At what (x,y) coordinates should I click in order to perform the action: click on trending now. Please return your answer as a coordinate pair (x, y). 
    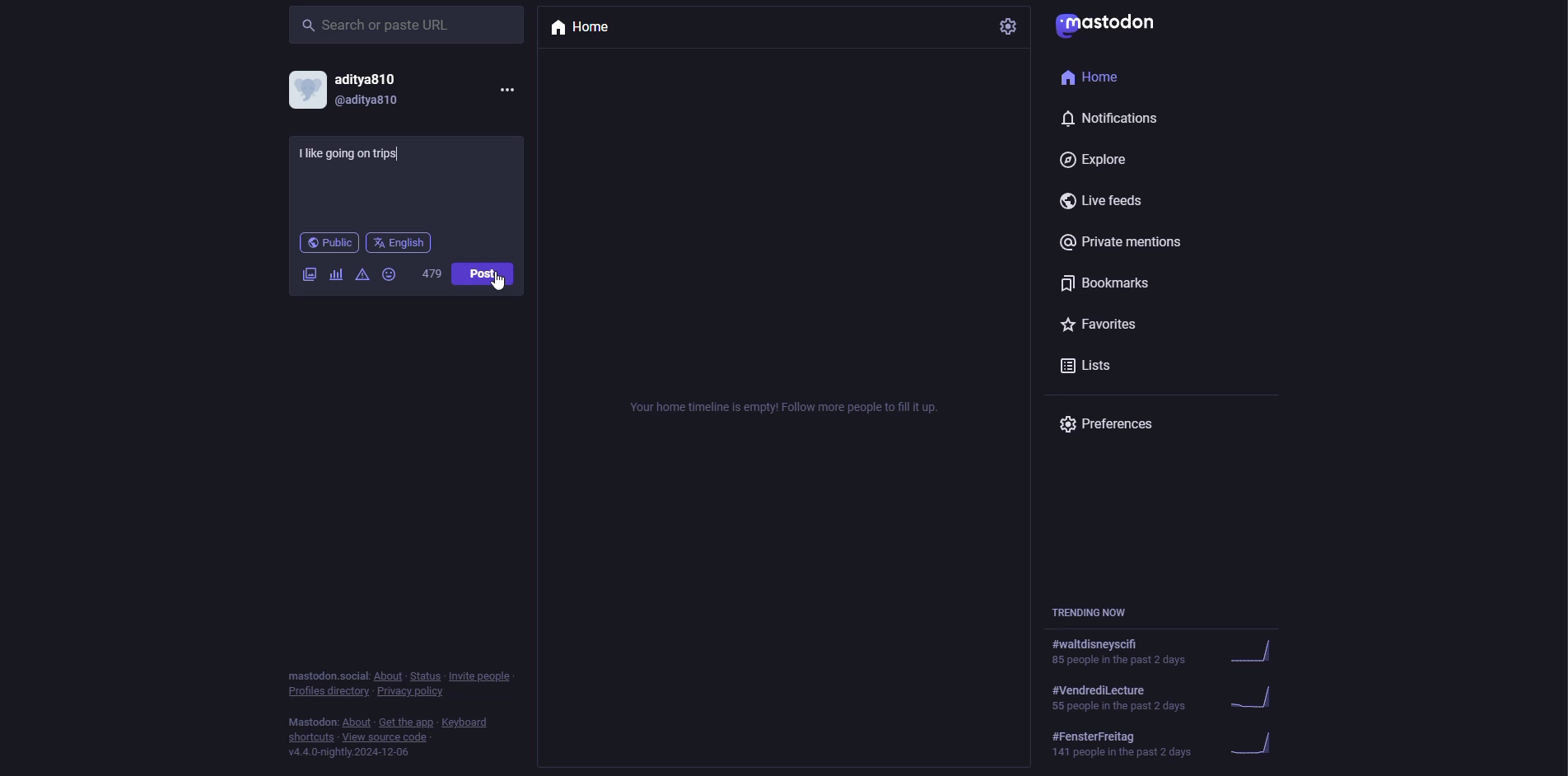
    Looking at the image, I should click on (1171, 742).